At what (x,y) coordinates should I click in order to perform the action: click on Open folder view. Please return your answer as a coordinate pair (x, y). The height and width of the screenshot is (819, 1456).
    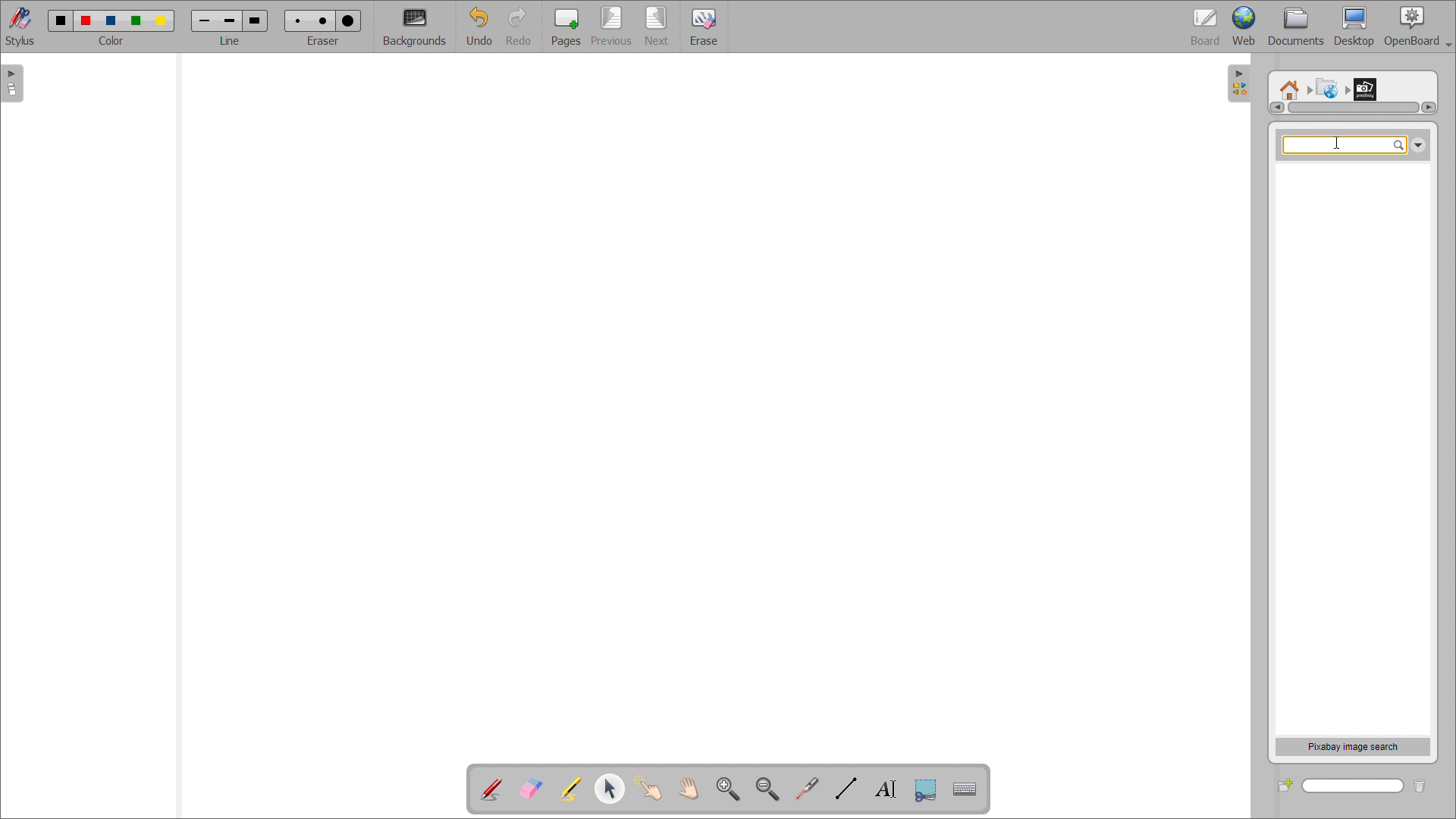
    Looking at the image, I should click on (1245, 86).